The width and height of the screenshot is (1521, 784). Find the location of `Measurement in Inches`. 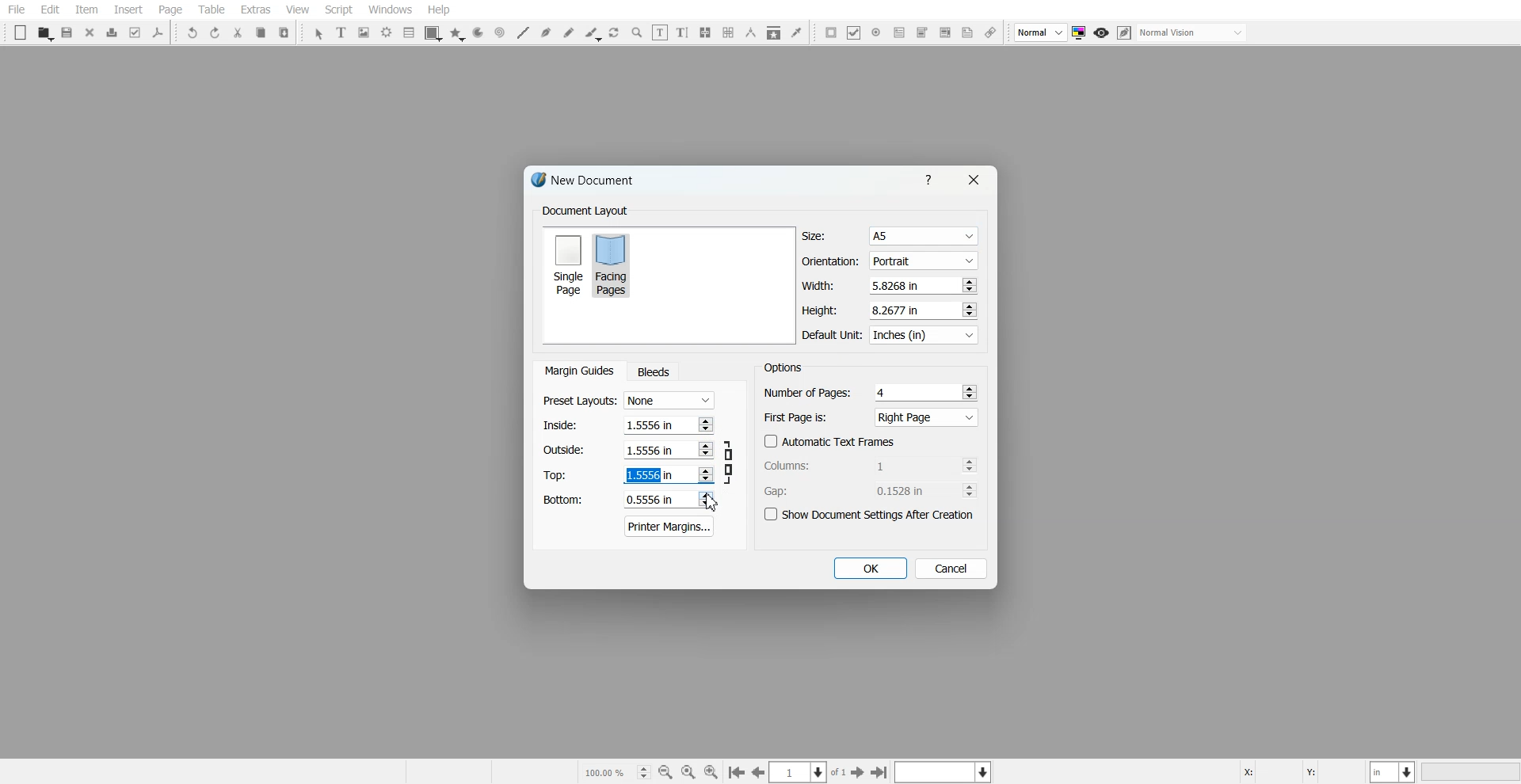

Measurement in Inches is located at coordinates (1393, 771).